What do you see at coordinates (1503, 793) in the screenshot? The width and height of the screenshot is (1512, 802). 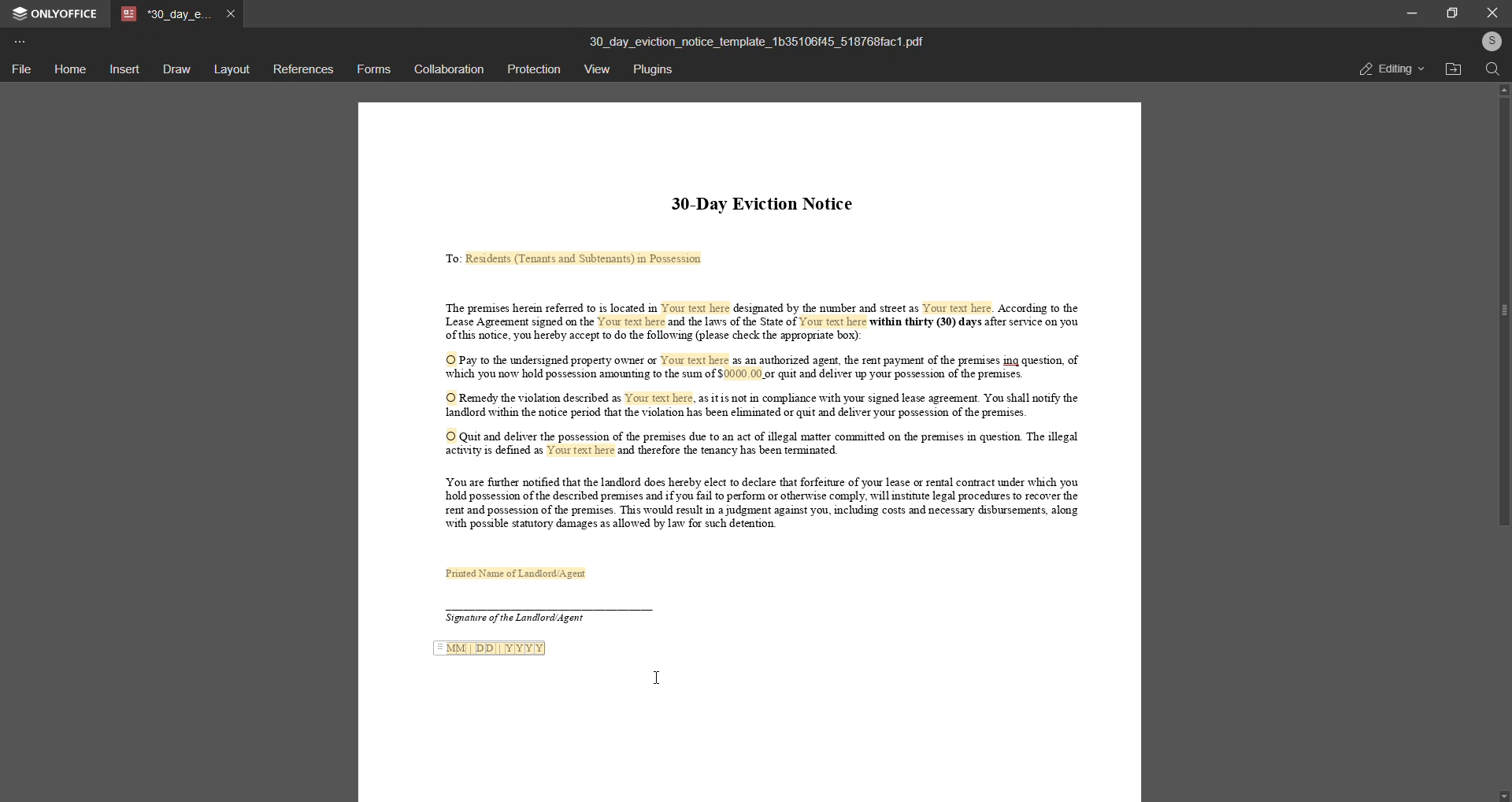 I see `scroll down` at bounding box center [1503, 793].